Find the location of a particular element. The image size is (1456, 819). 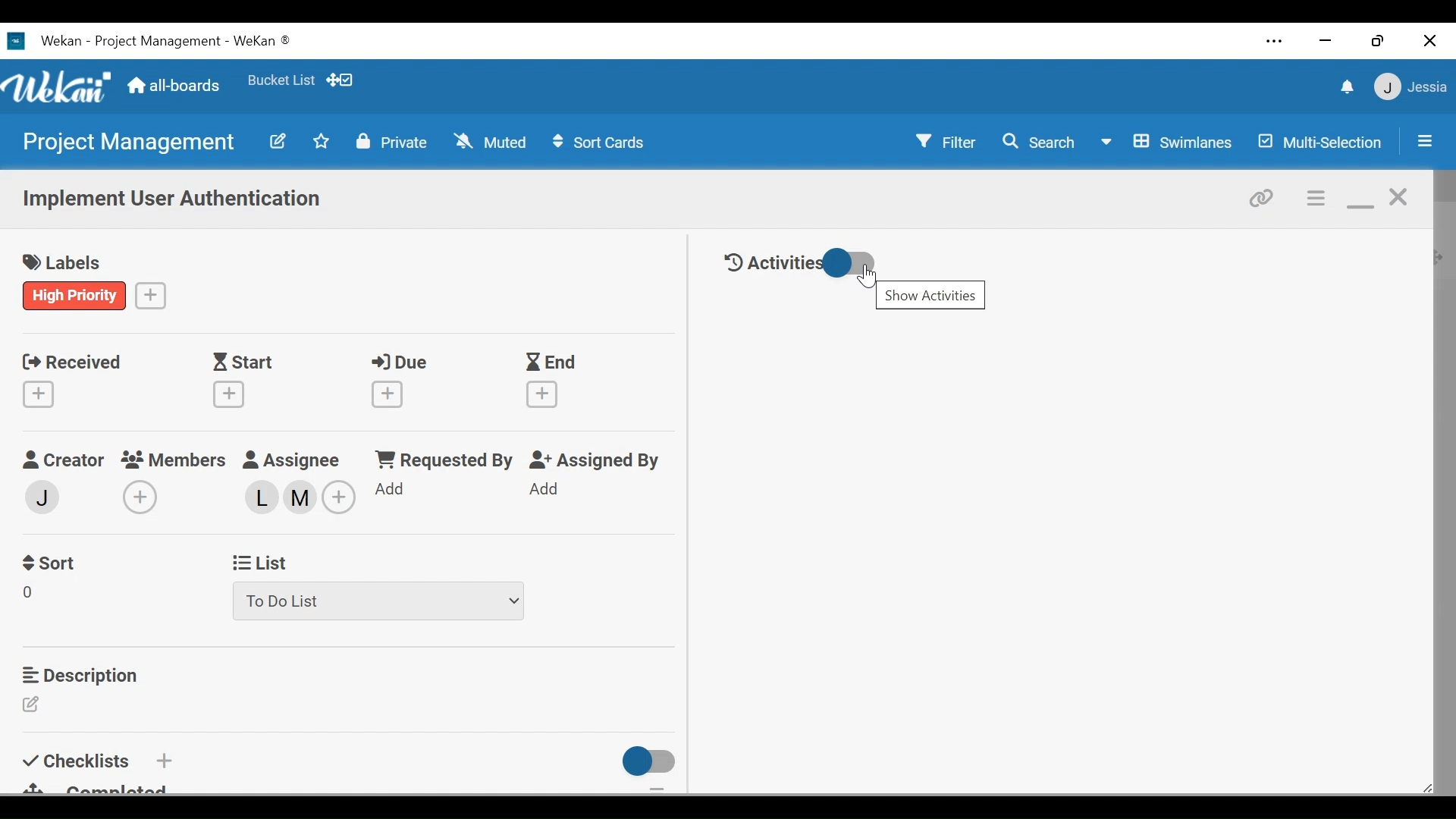

Sort Cards is located at coordinates (600, 142).